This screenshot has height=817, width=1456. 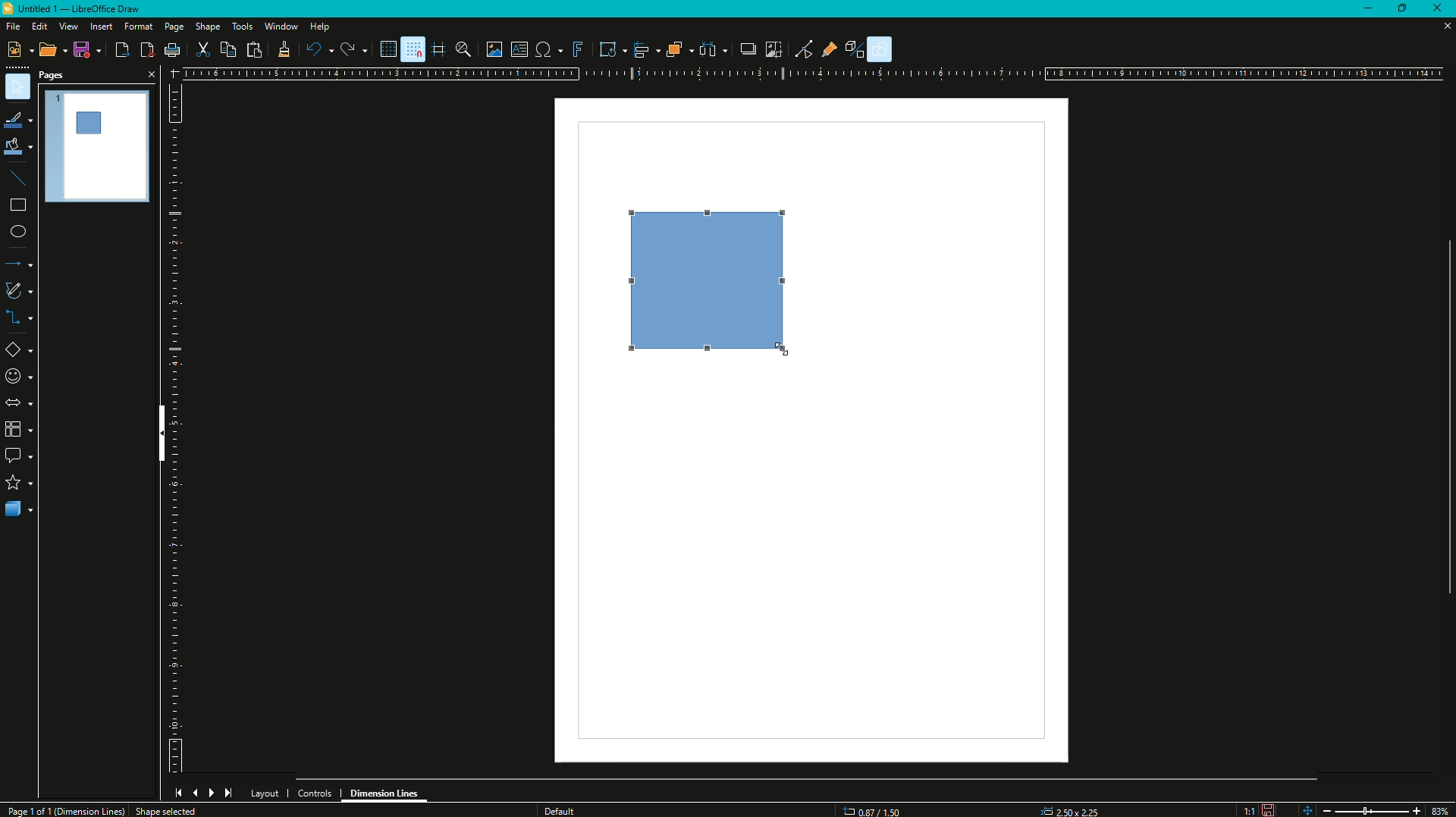 I want to click on Scroll, so click(x=808, y=777).